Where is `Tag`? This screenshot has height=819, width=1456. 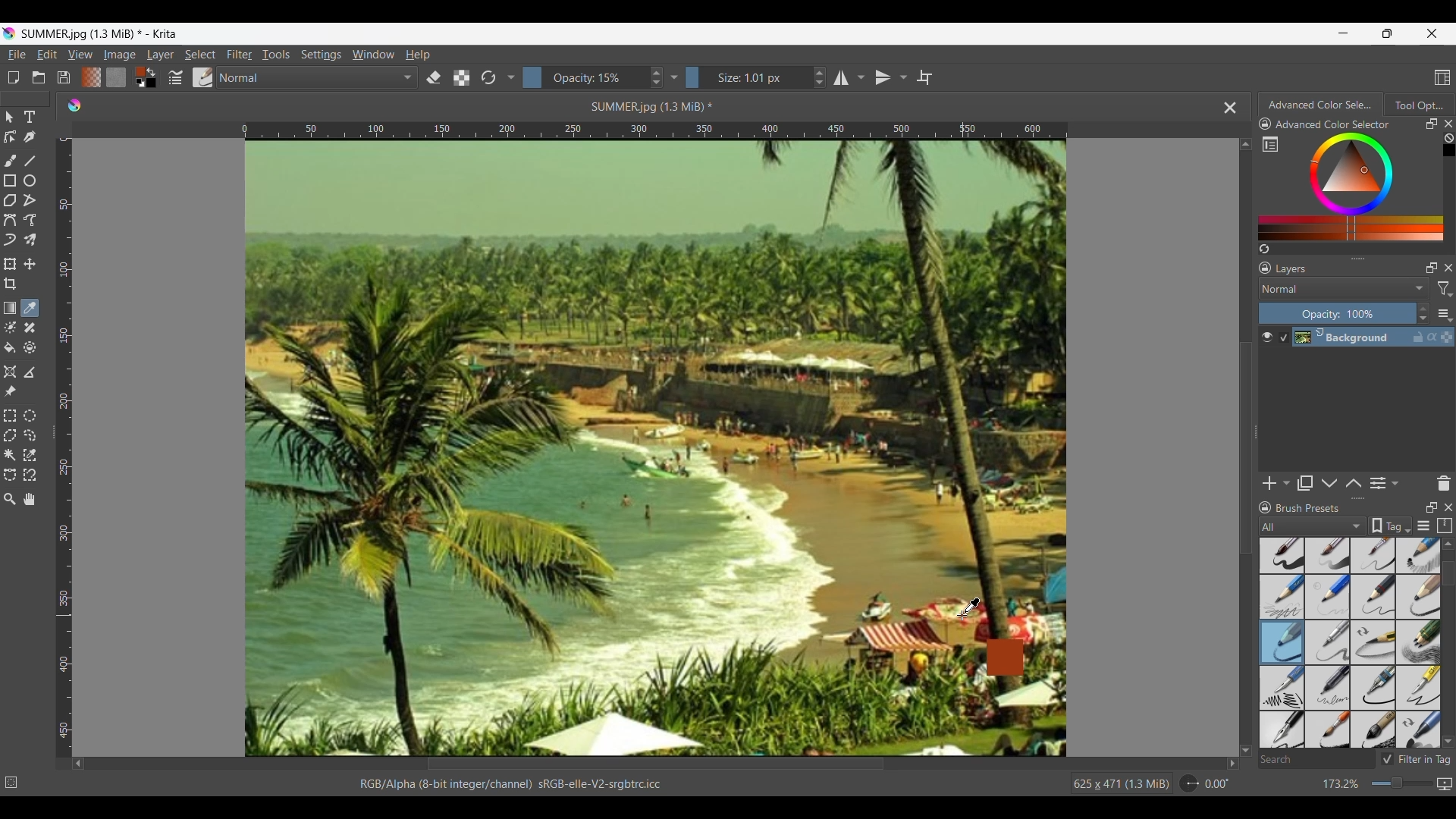
Tag is located at coordinates (1390, 526).